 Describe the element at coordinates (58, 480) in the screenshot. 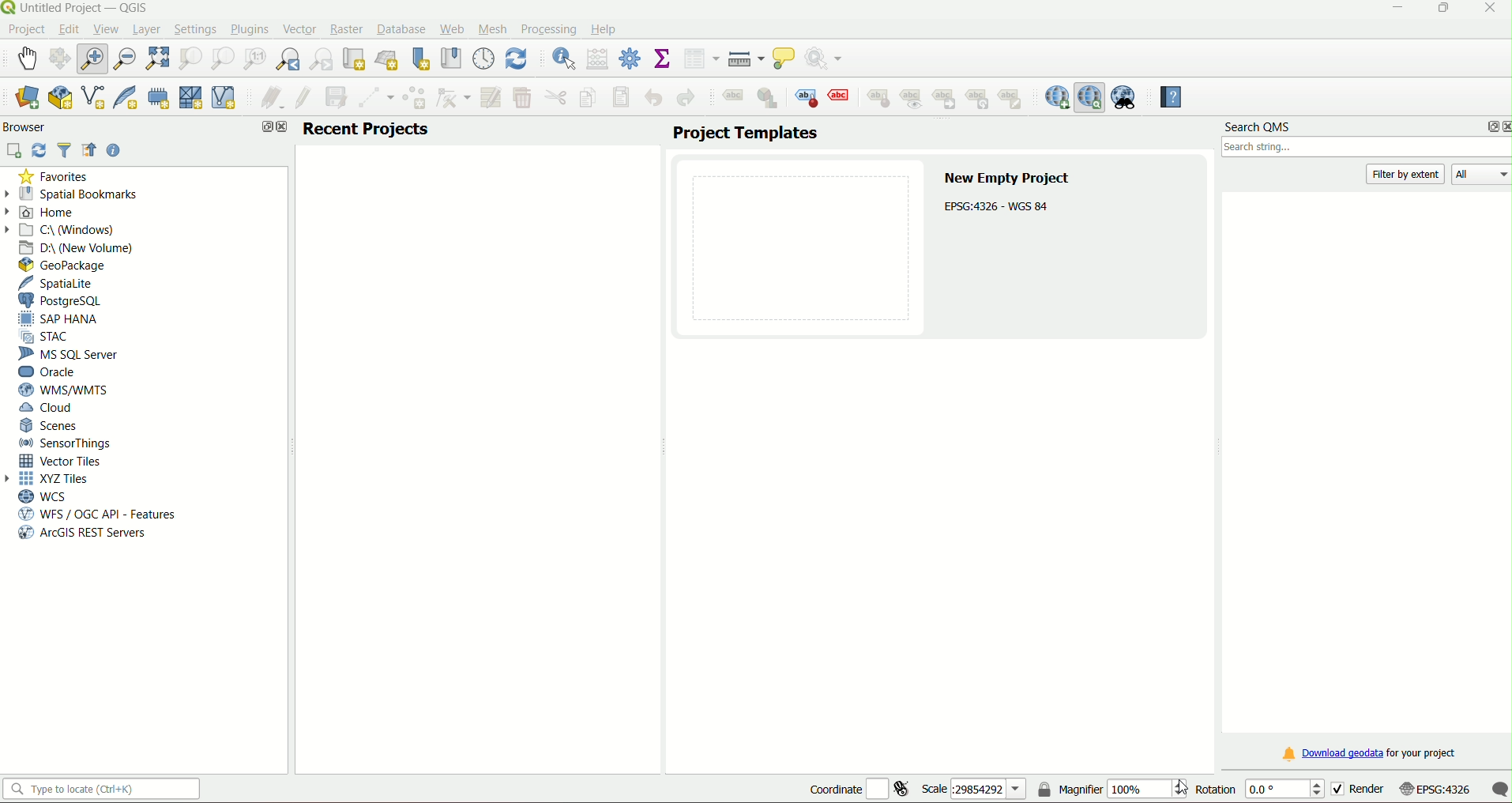

I see `XYZ Tiles` at that location.